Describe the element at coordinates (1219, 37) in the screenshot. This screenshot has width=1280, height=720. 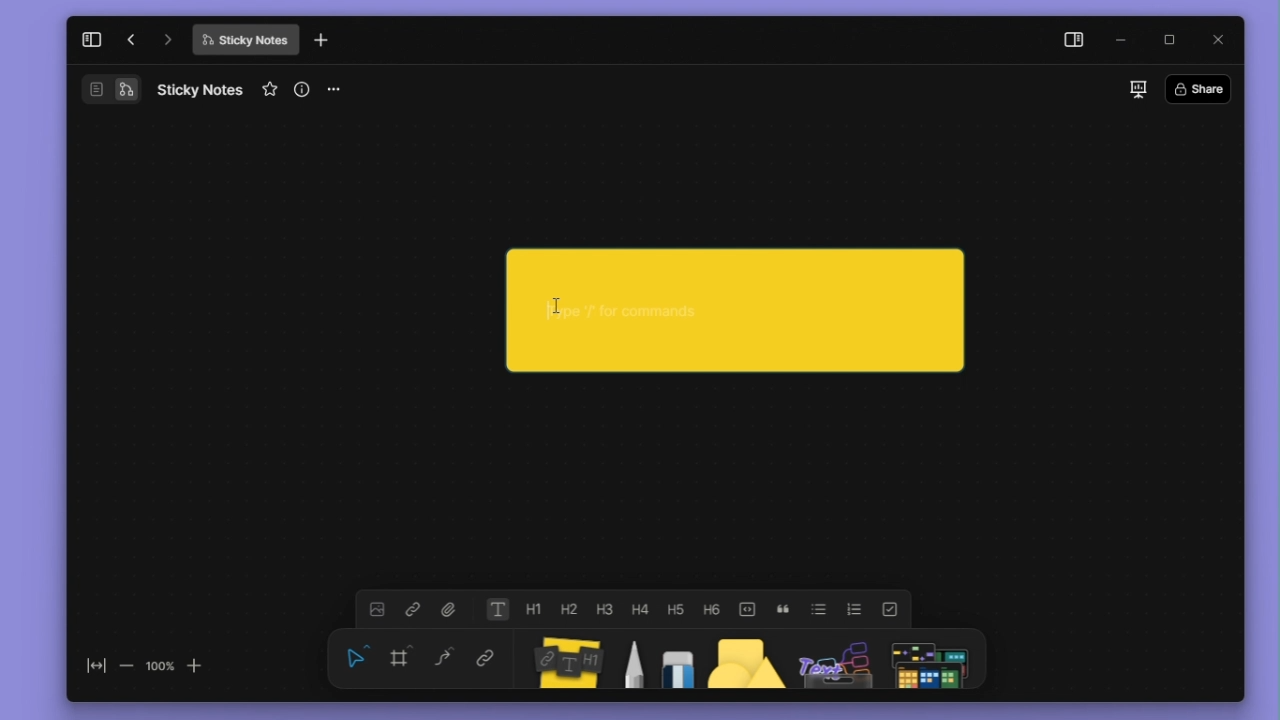
I see `close` at that location.